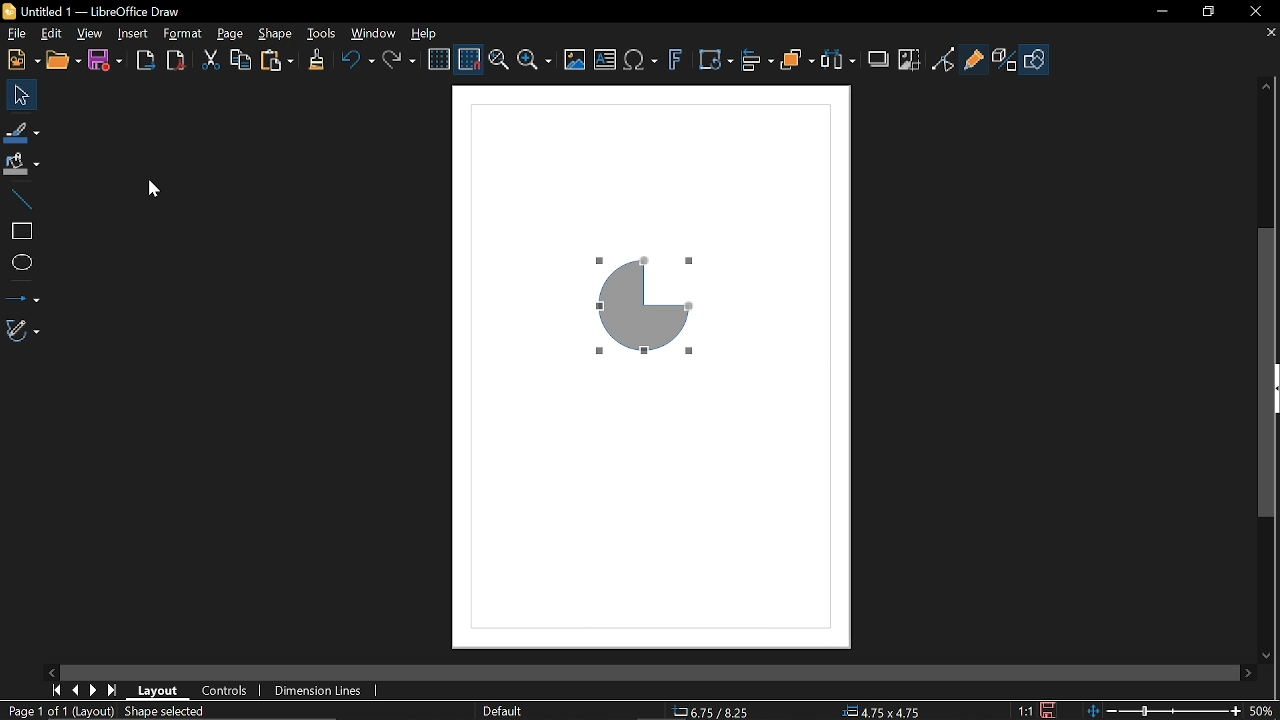  I want to click on Save, so click(107, 59).